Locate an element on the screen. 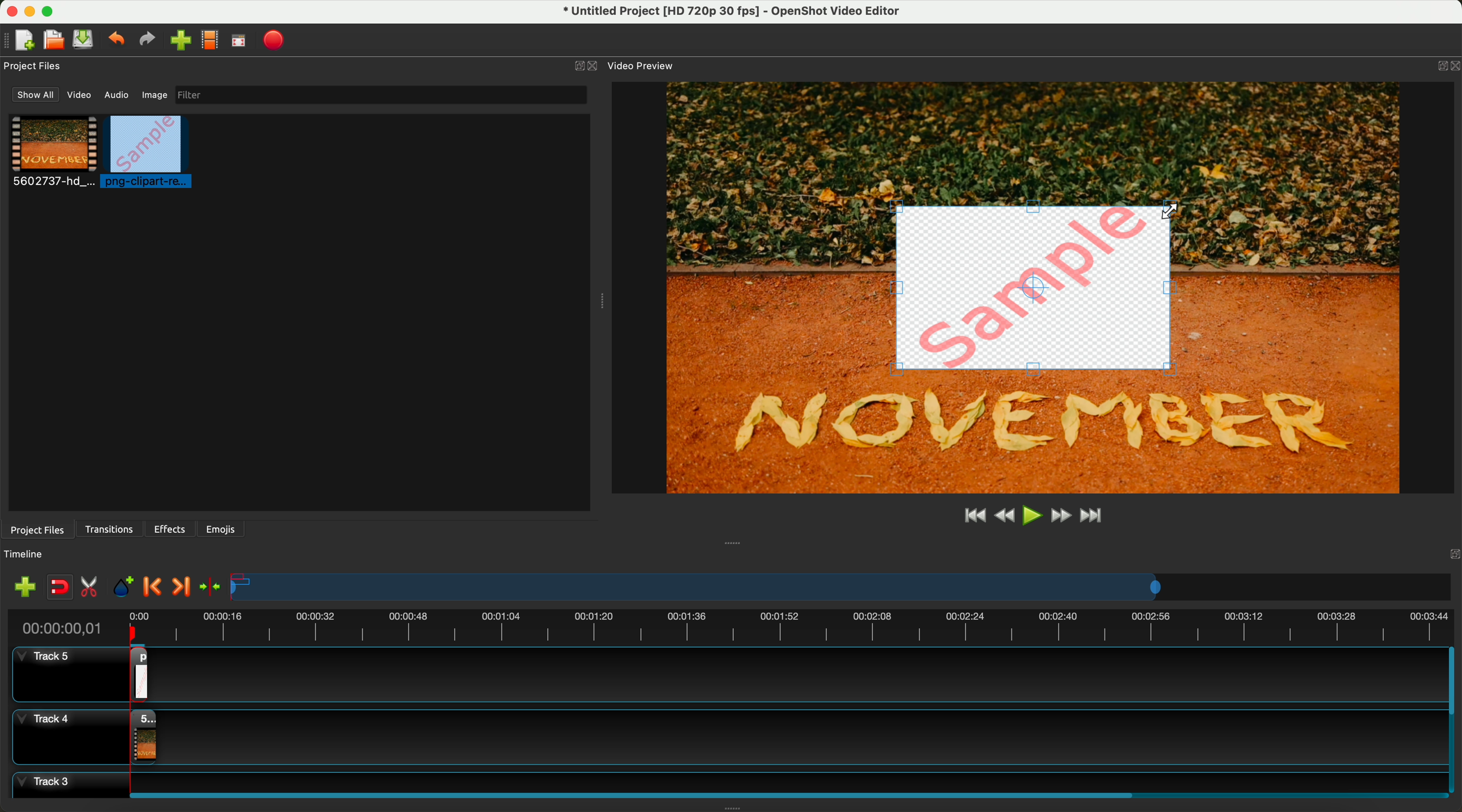  video preview is located at coordinates (640, 66).